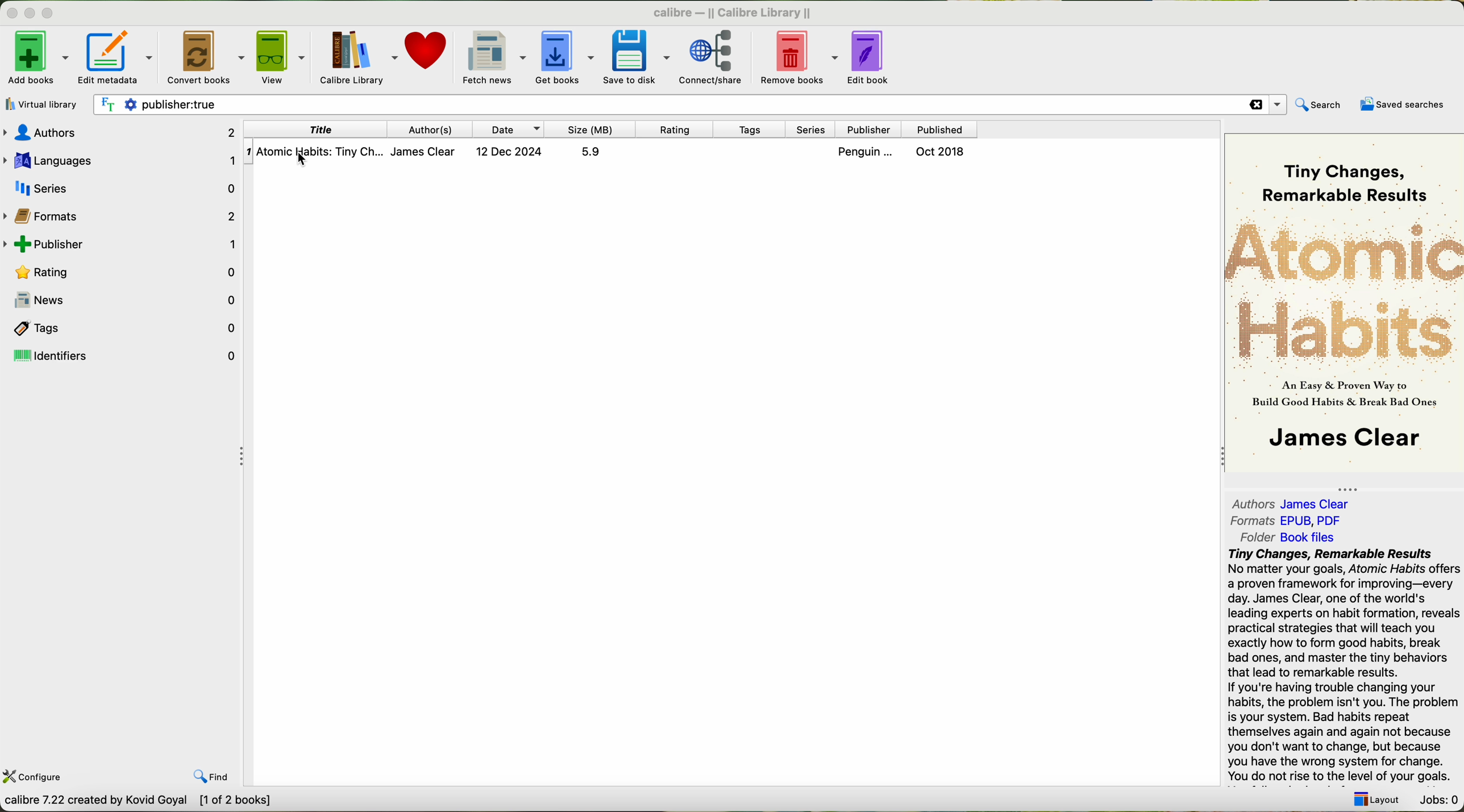 Image resolution: width=1464 pixels, height=812 pixels. Describe the element at coordinates (509, 130) in the screenshot. I see `date` at that location.